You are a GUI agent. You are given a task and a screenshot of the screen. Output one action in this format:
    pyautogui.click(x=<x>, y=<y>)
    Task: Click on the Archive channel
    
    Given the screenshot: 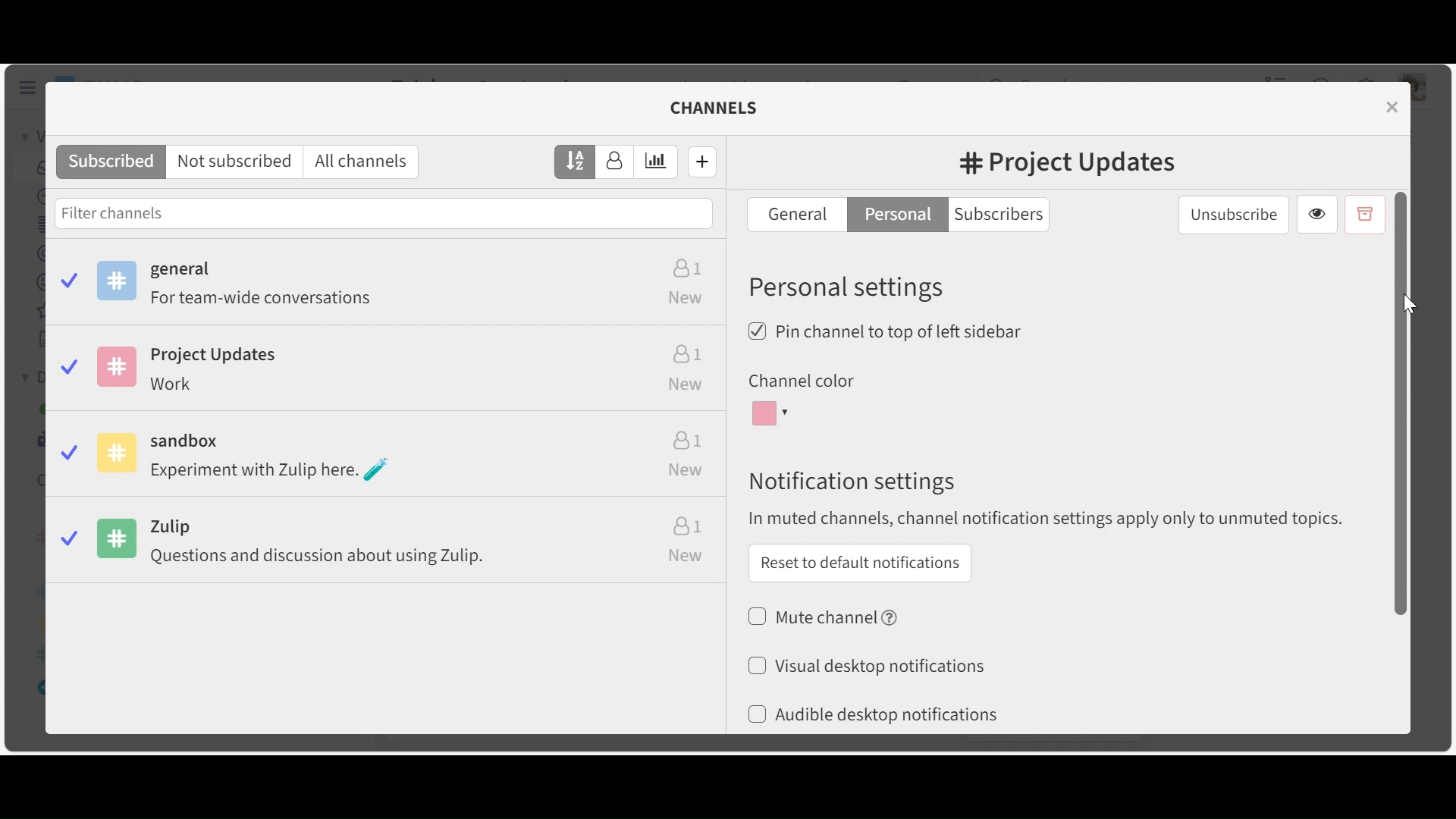 What is the action you would take?
    pyautogui.click(x=1364, y=215)
    